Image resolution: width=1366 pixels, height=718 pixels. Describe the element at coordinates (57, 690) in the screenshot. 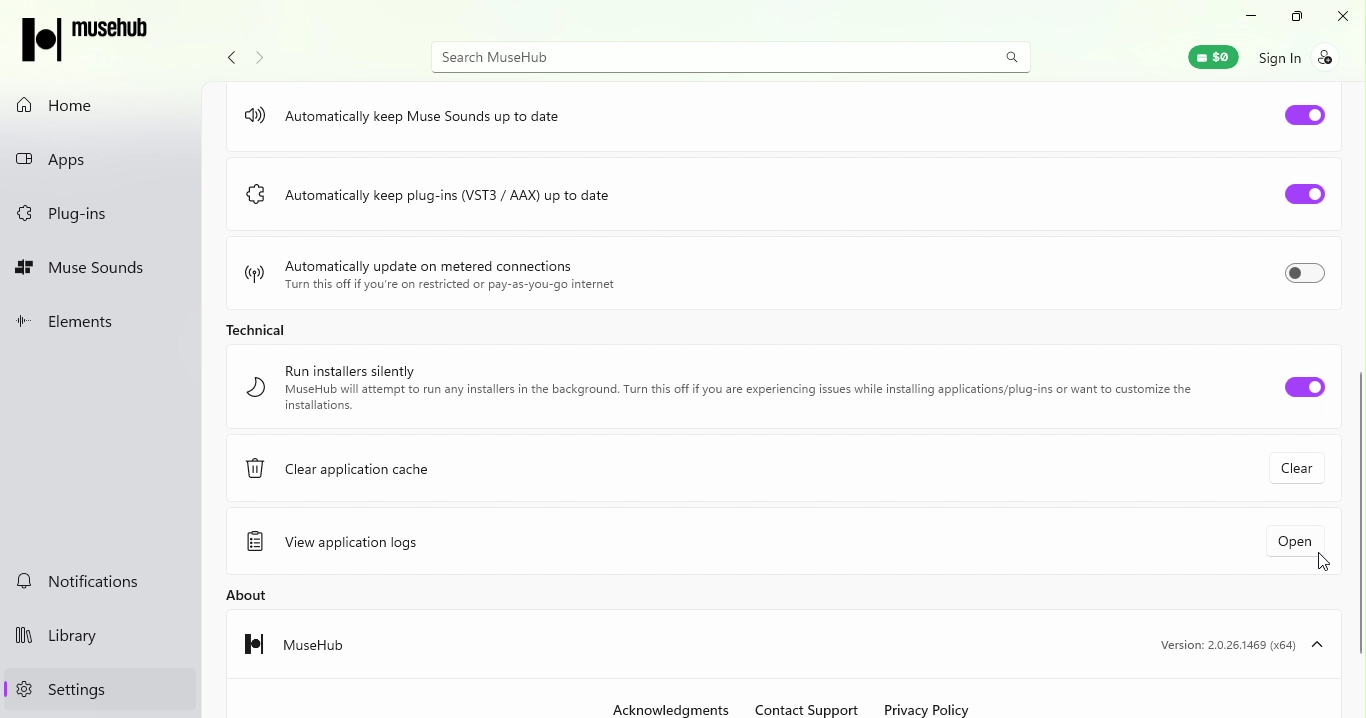

I see `Settings` at that location.